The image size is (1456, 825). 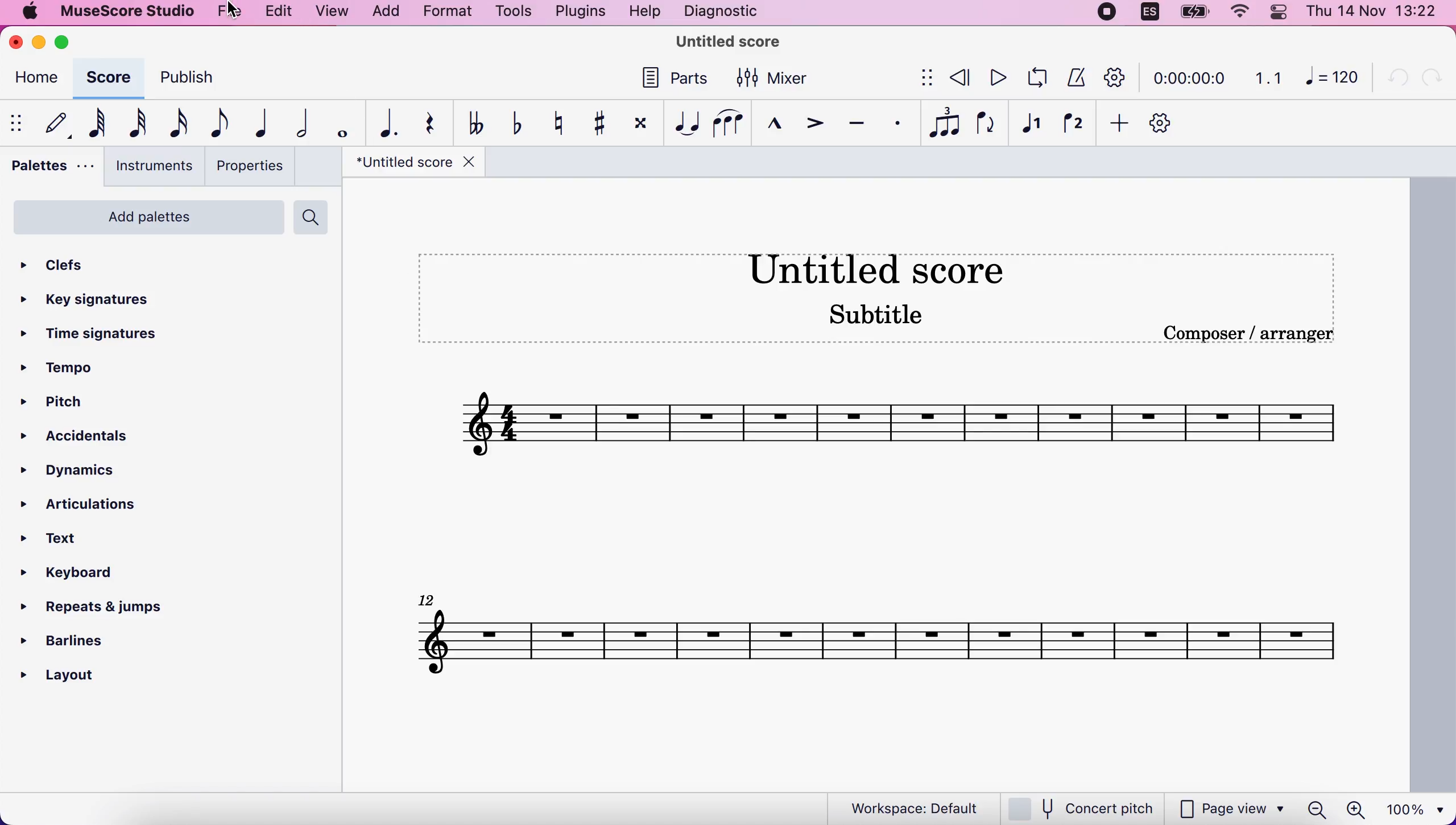 What do you see at coordinates (1192, 13) in the screenshot?
I see `battery` at bounding box center [1192, 13].